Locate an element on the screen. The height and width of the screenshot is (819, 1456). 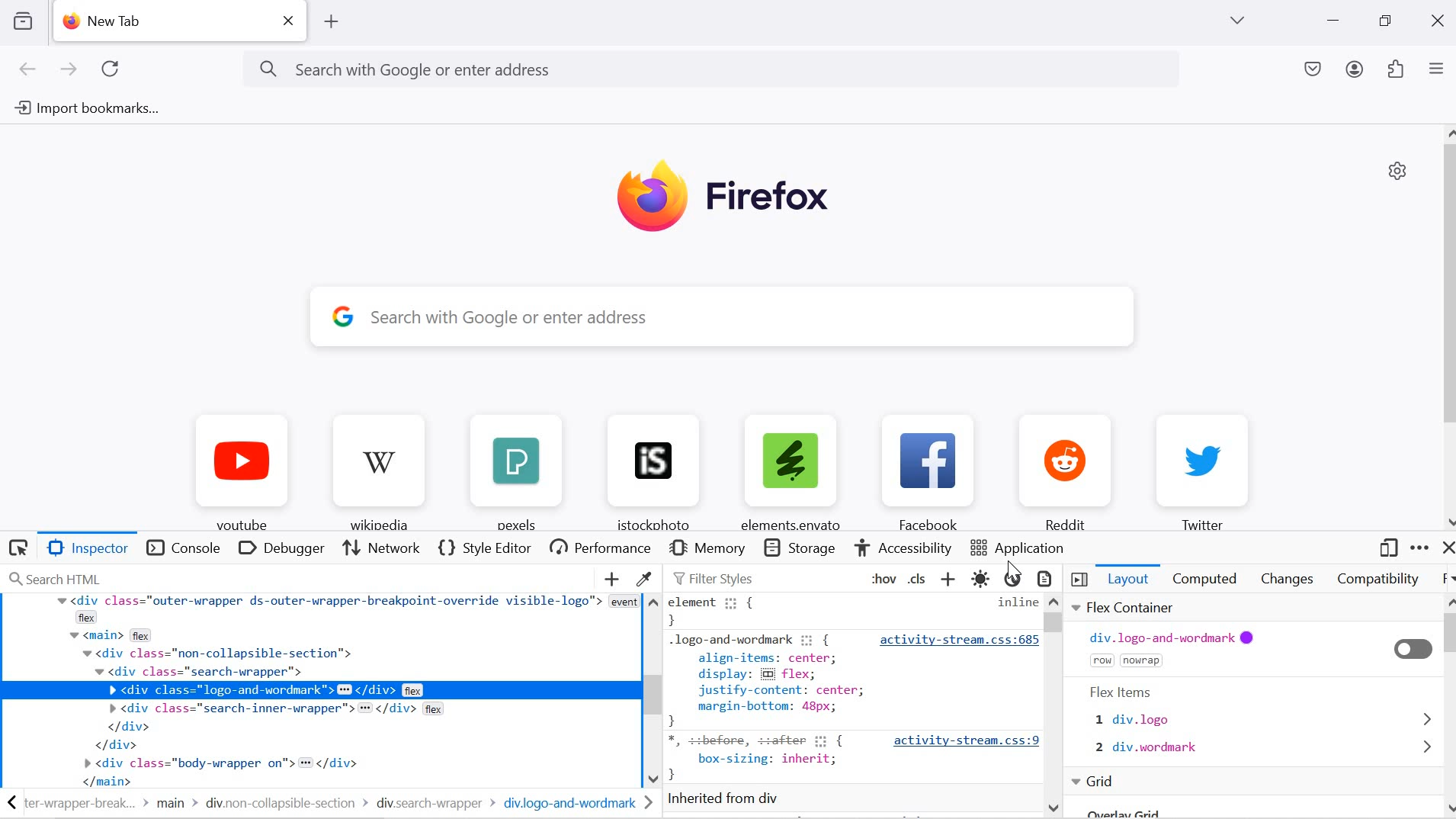
toggle 3 pane inspector off is located at coordinates (1083, 579).